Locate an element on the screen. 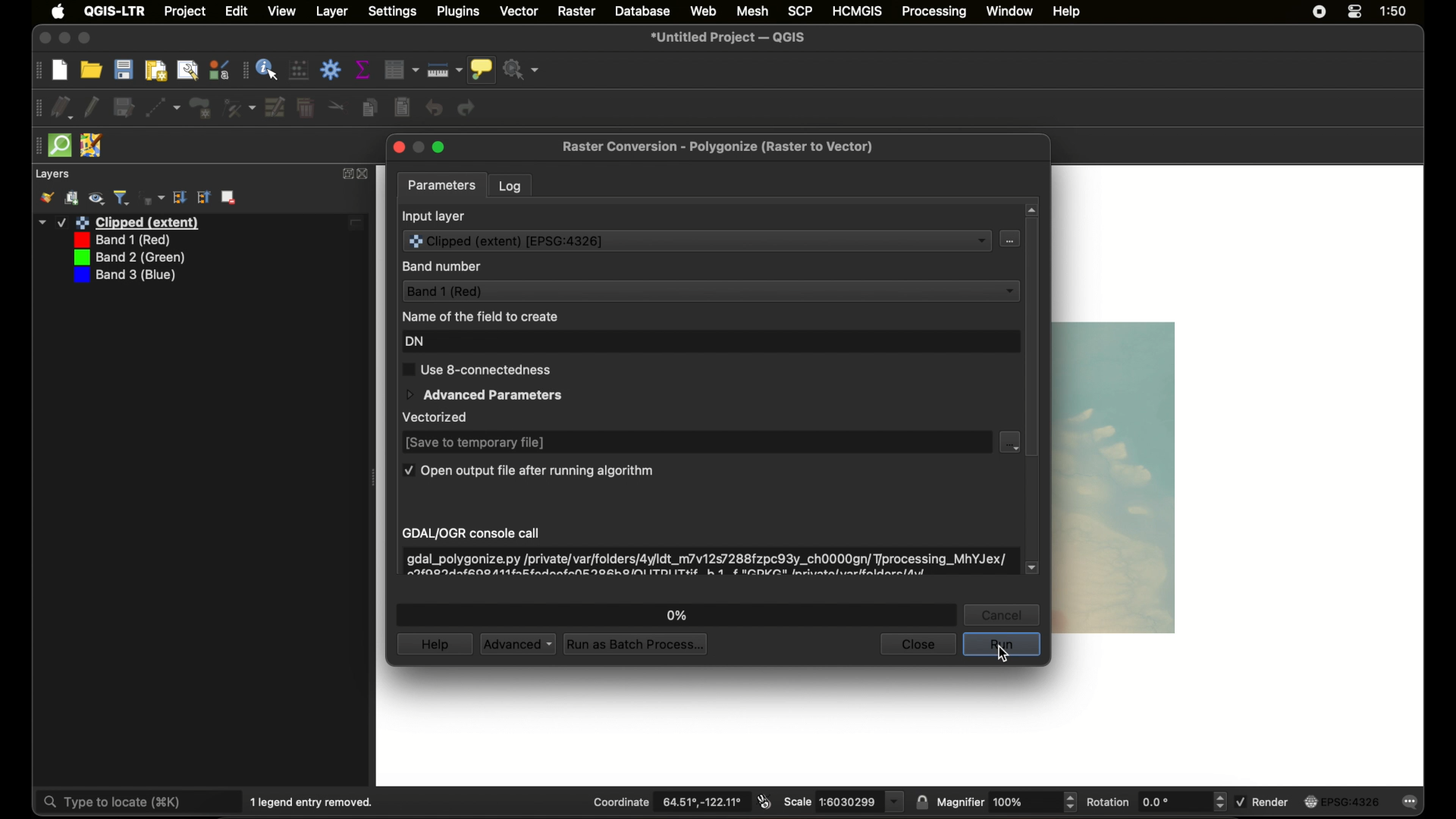  1 legend entry removed is located at coordinates (315, 802).